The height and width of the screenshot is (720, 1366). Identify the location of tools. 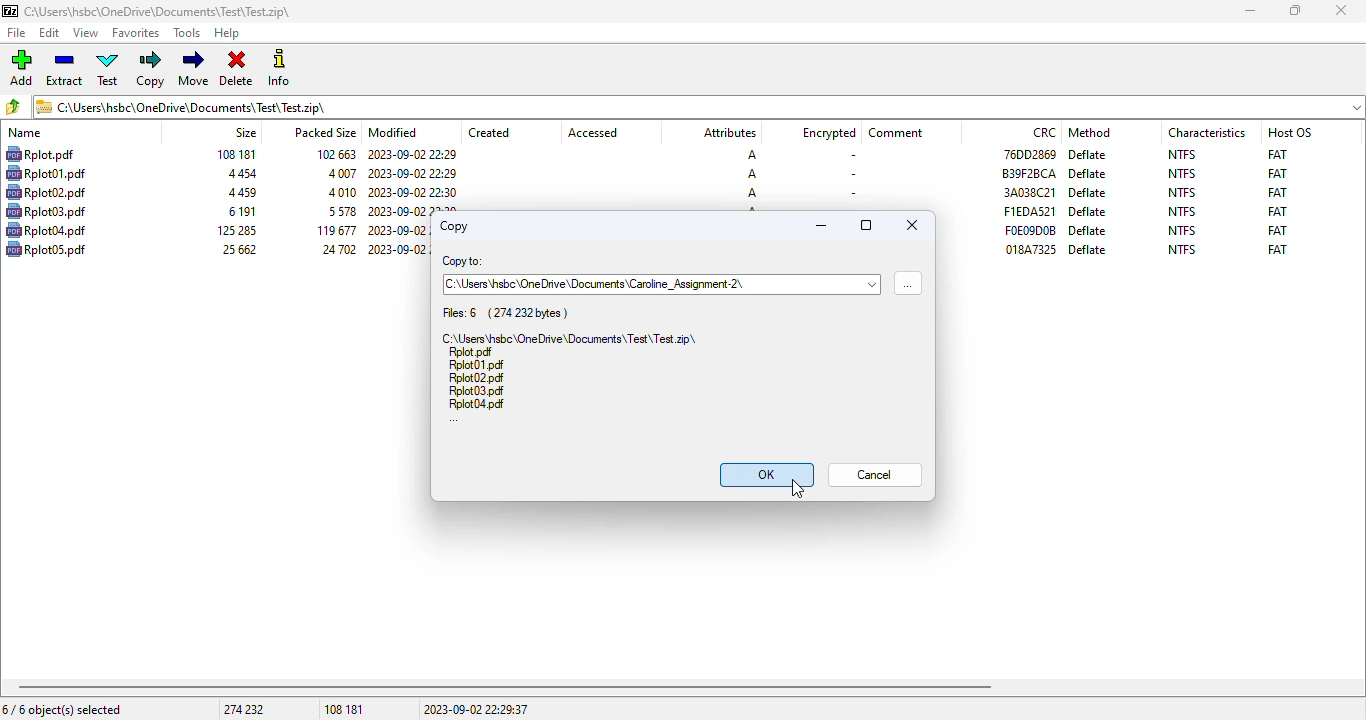
(188, 34).